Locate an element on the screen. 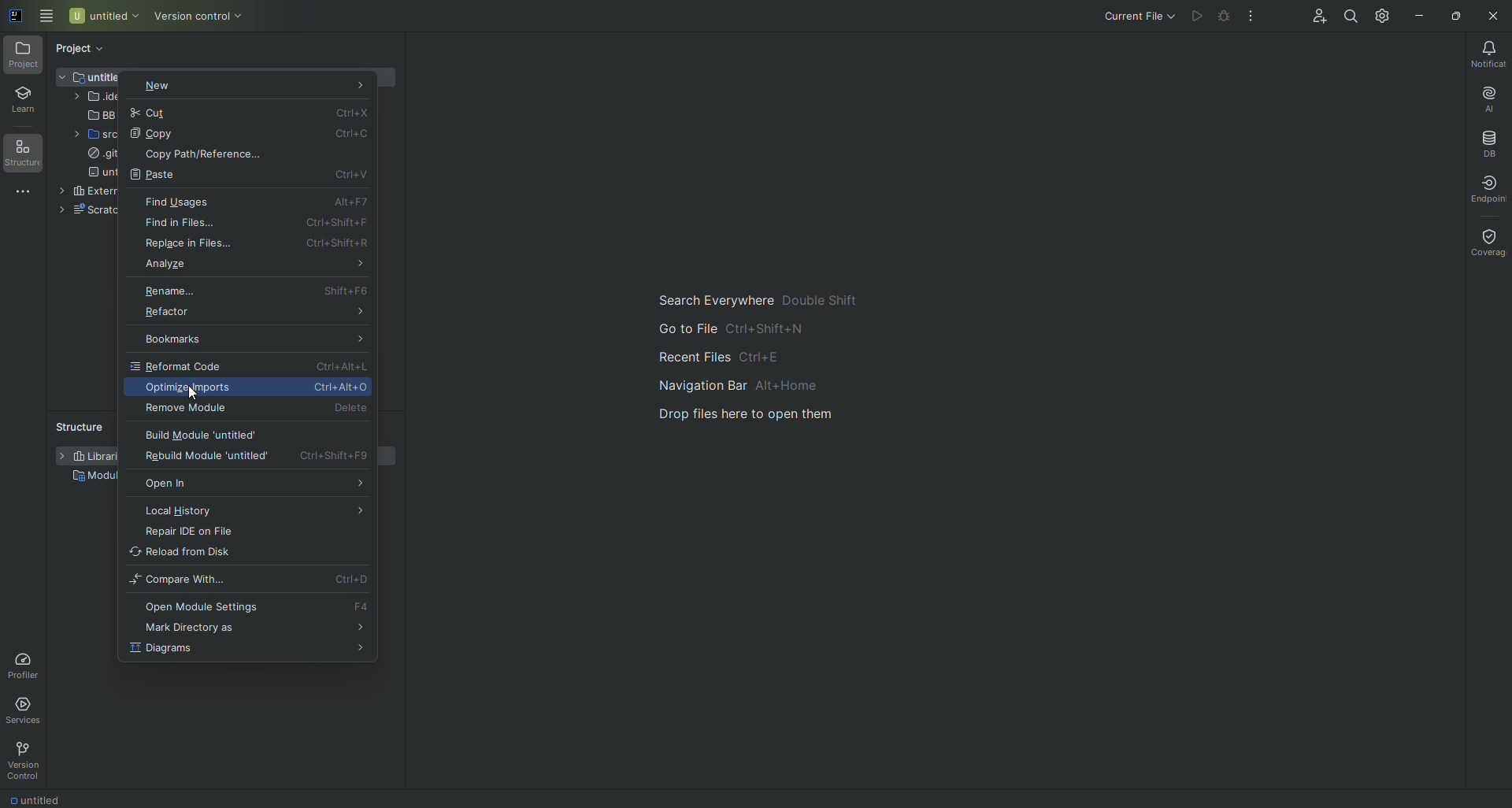 The height and width of the screenshot is (808, 1512). Database is located at coordinates (1484, 144).